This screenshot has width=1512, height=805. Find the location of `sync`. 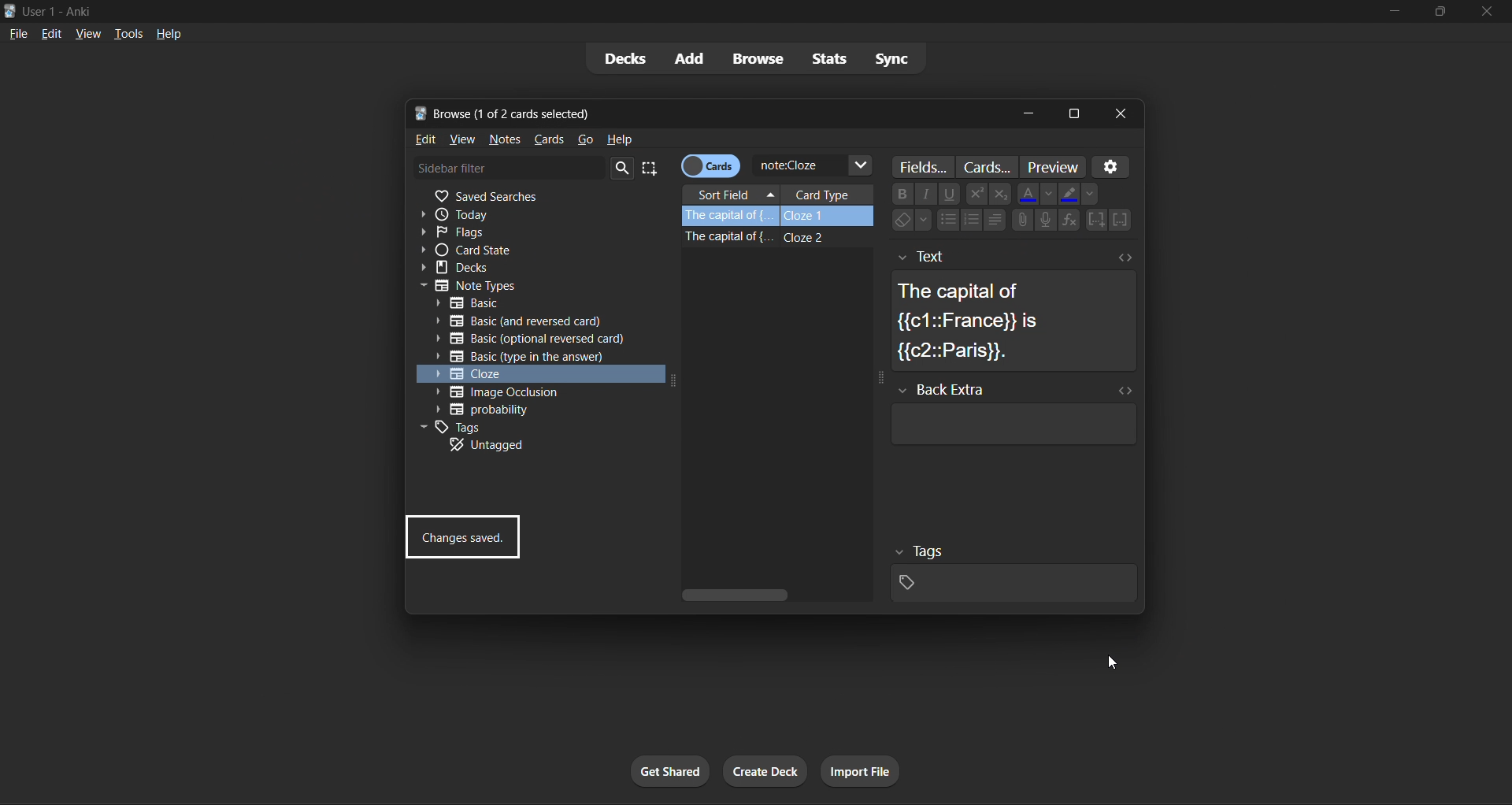

sync is located at coordinates (903, 57).